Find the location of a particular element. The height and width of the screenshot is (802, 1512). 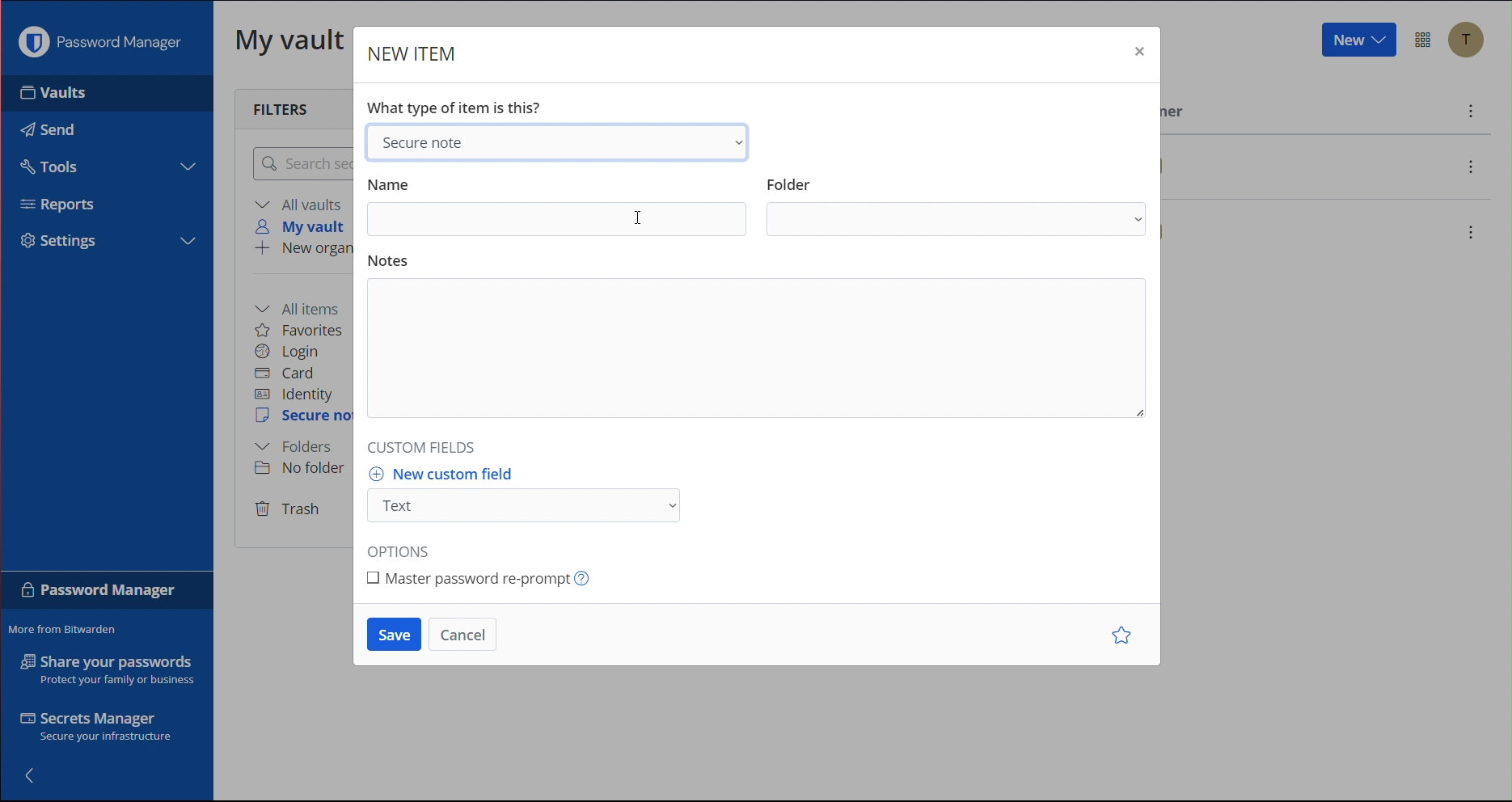

Save is located at coordinates (391, 634).